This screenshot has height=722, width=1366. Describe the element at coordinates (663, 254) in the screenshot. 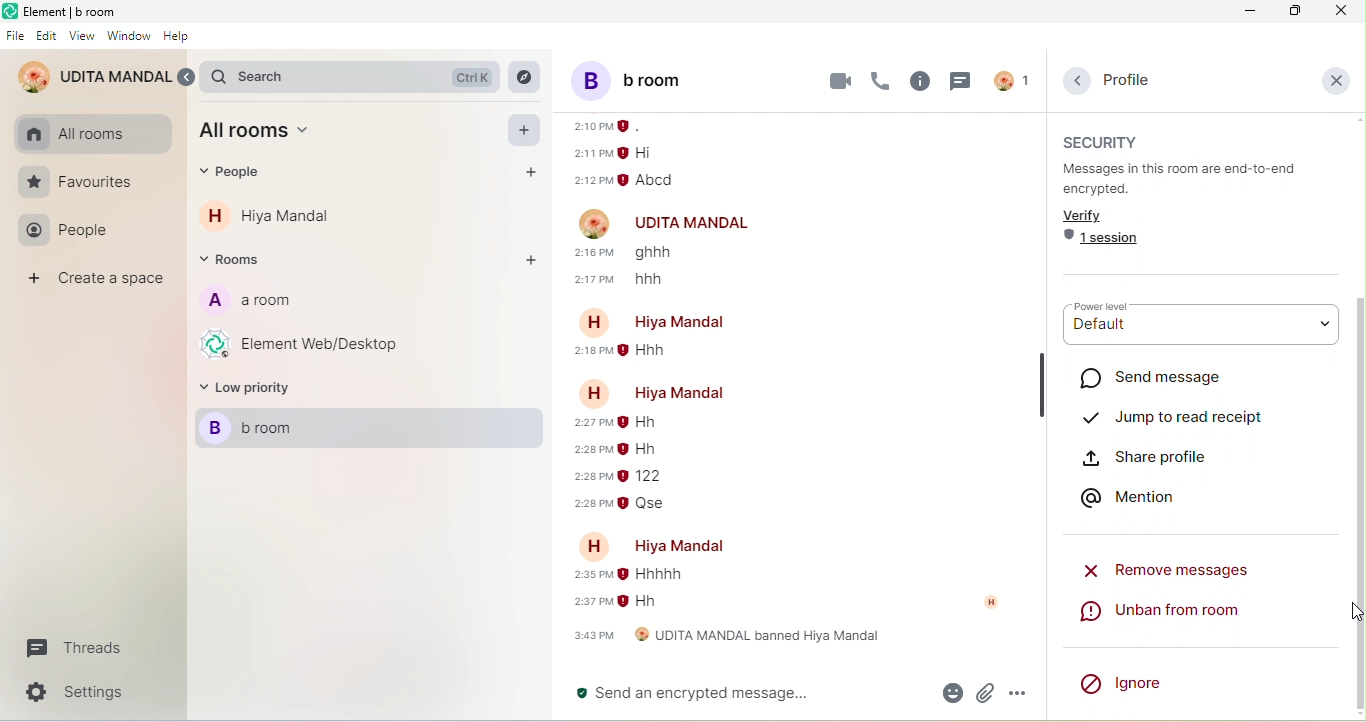

I see `ghhh-older message from udita` at that location.